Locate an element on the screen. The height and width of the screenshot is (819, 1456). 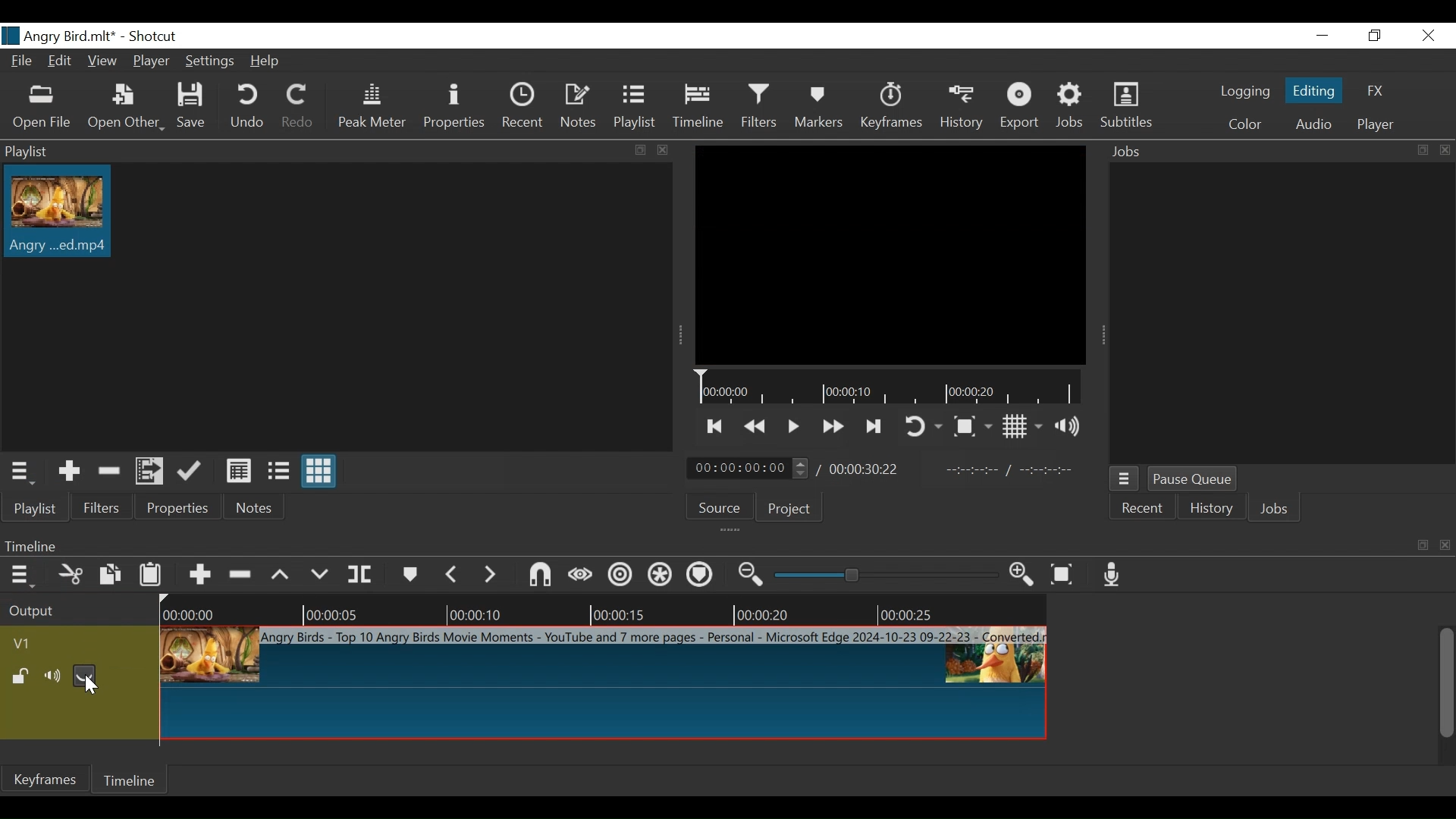
zoom timeline out is located at coordinates (1023, 575).